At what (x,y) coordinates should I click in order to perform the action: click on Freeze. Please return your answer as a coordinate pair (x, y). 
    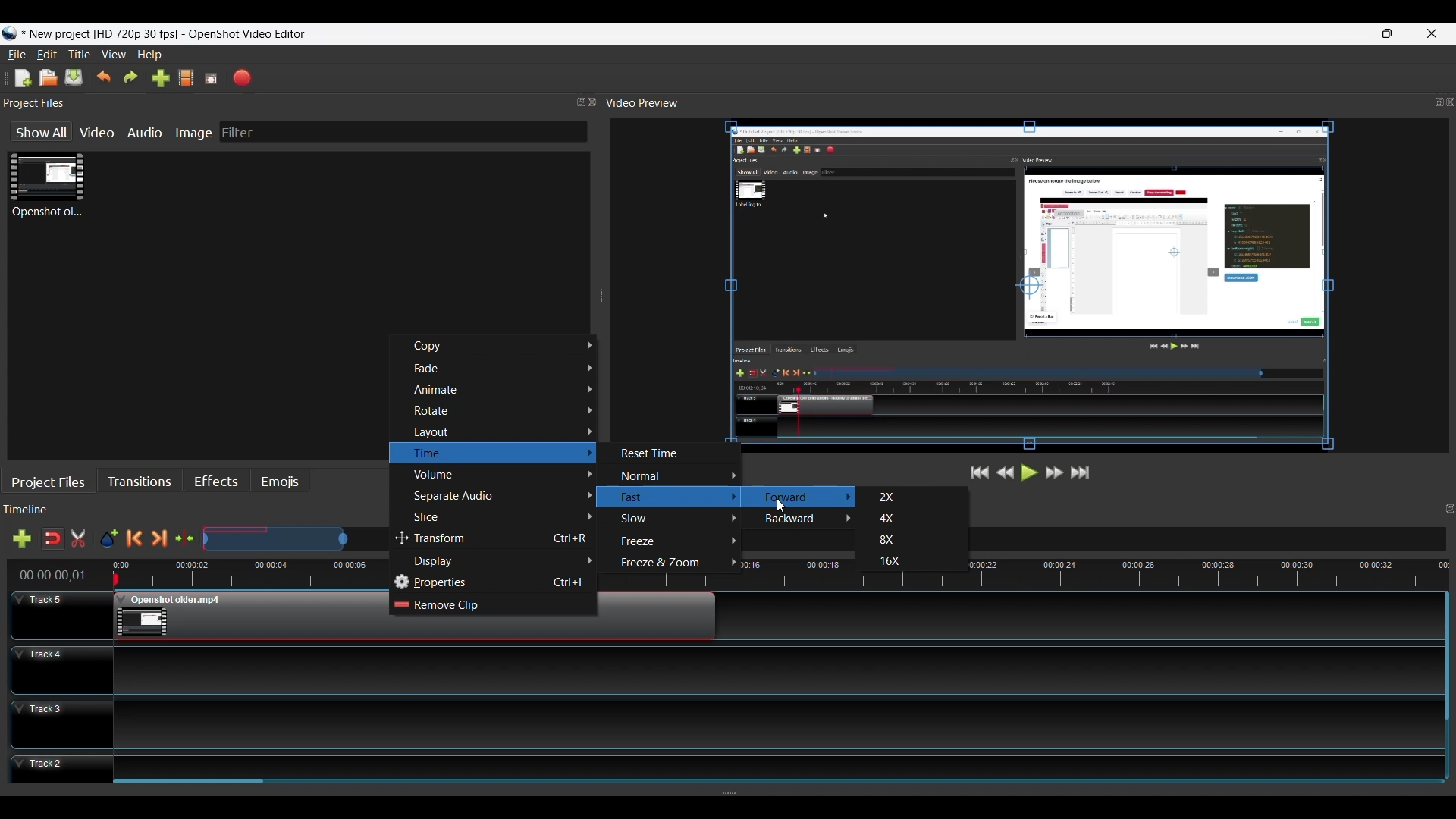
    Looking at the image, I should click on (674, 542).